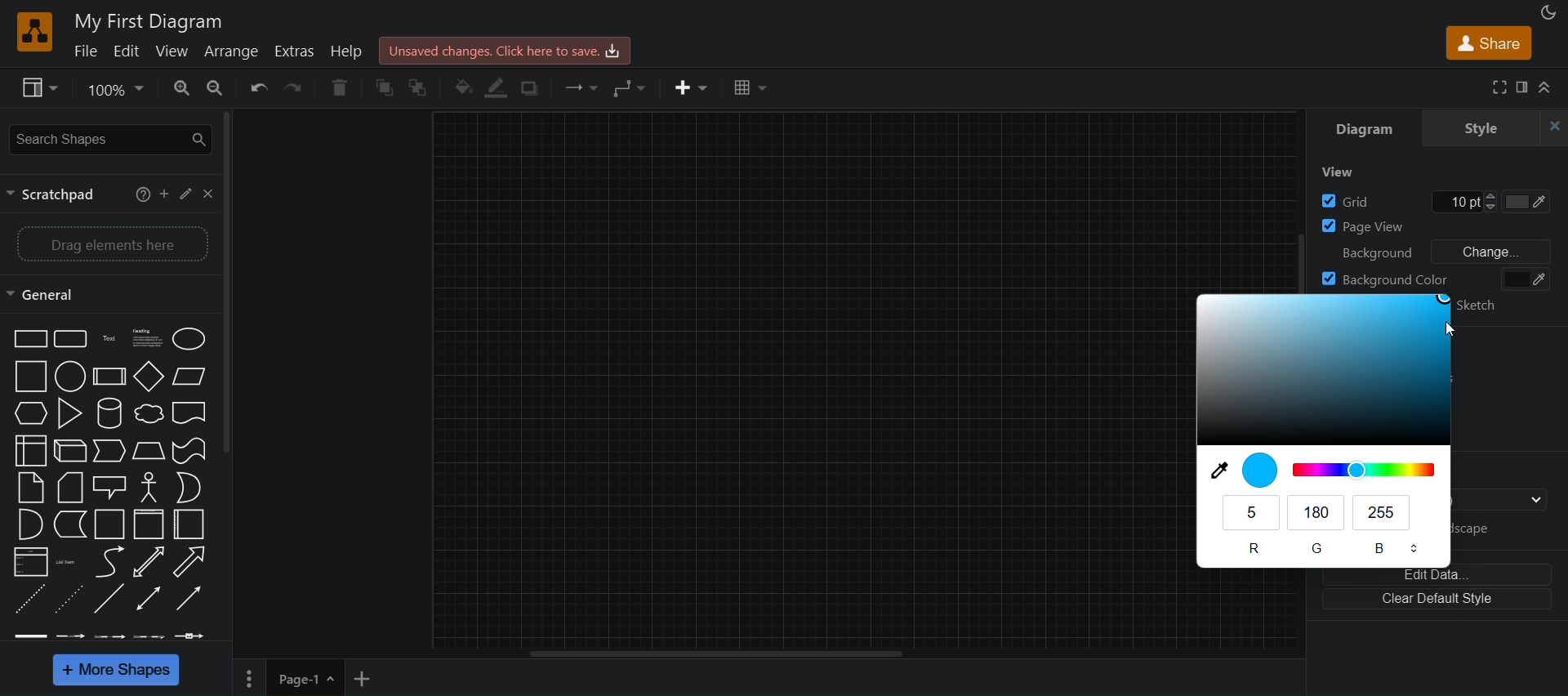 The height and width of the screenshot is (696, 1568). I want to click on redo, so click(296, 88).